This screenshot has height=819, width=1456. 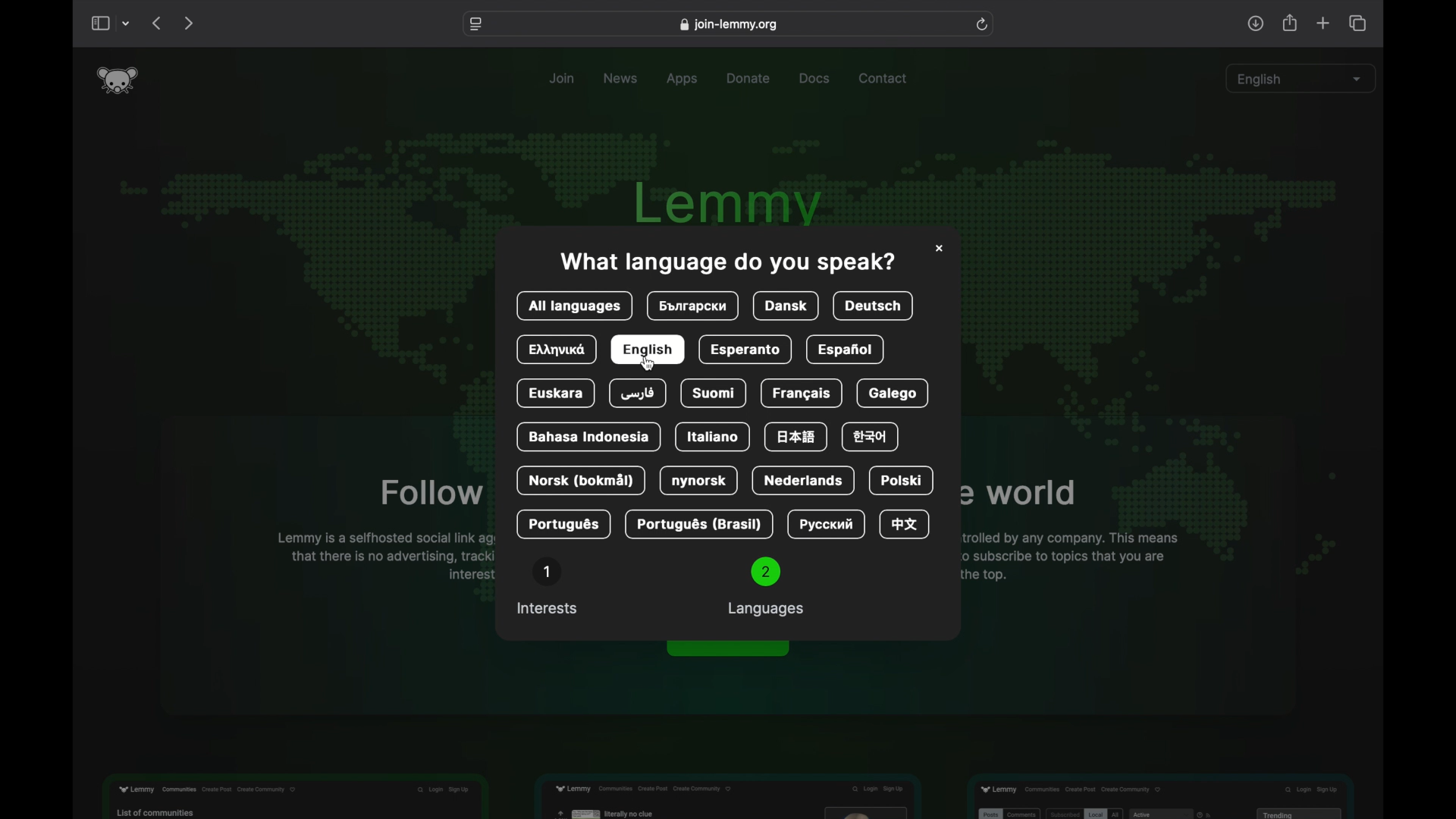 What do you see at coordinates (1291, 24) in the screenshot?
I see `share` at bounding box center [1291, 24].